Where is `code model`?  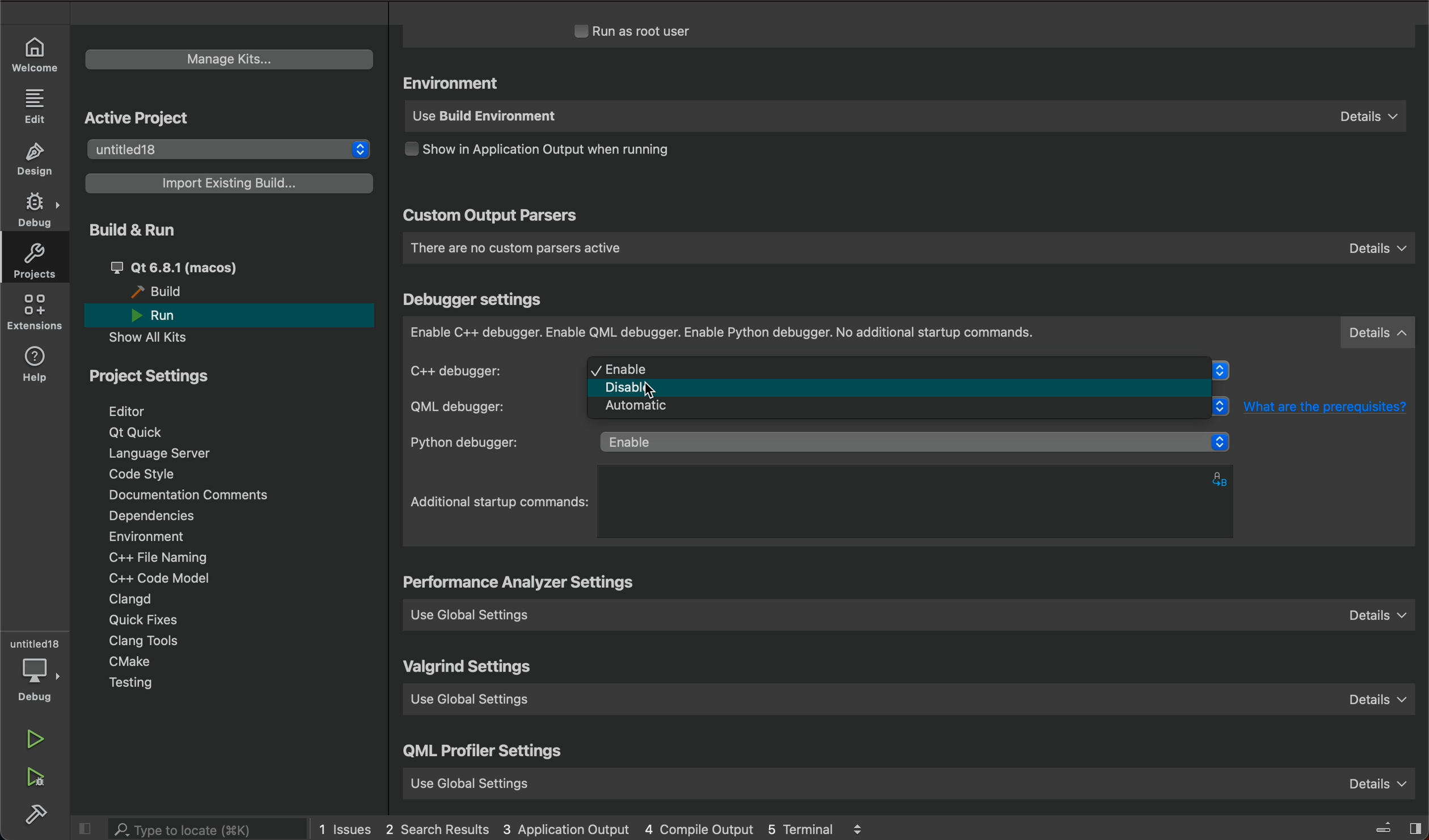
code model is located at coordinates (153, 578).